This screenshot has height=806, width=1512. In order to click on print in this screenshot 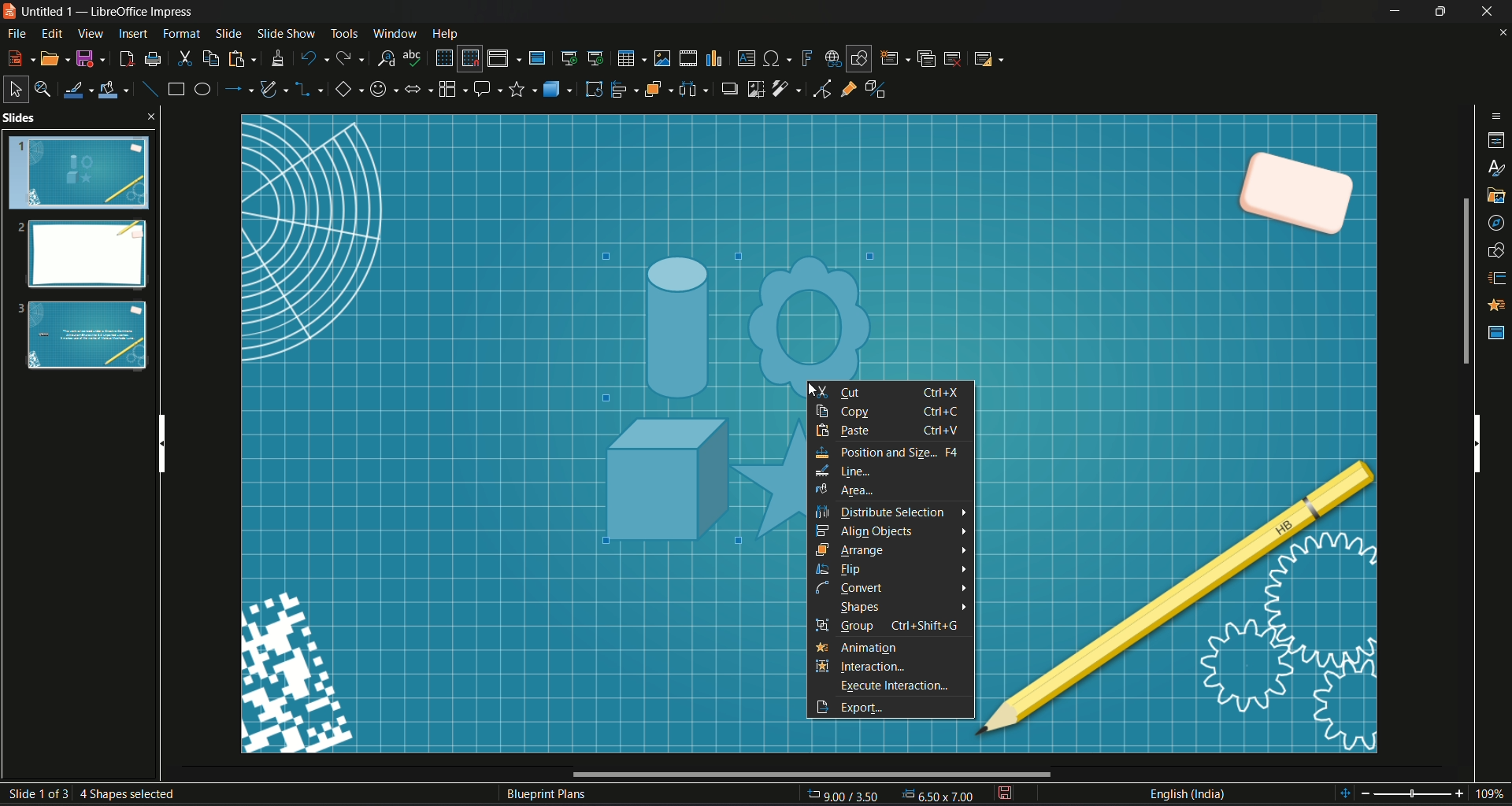, I will do `click(153, 59)`.